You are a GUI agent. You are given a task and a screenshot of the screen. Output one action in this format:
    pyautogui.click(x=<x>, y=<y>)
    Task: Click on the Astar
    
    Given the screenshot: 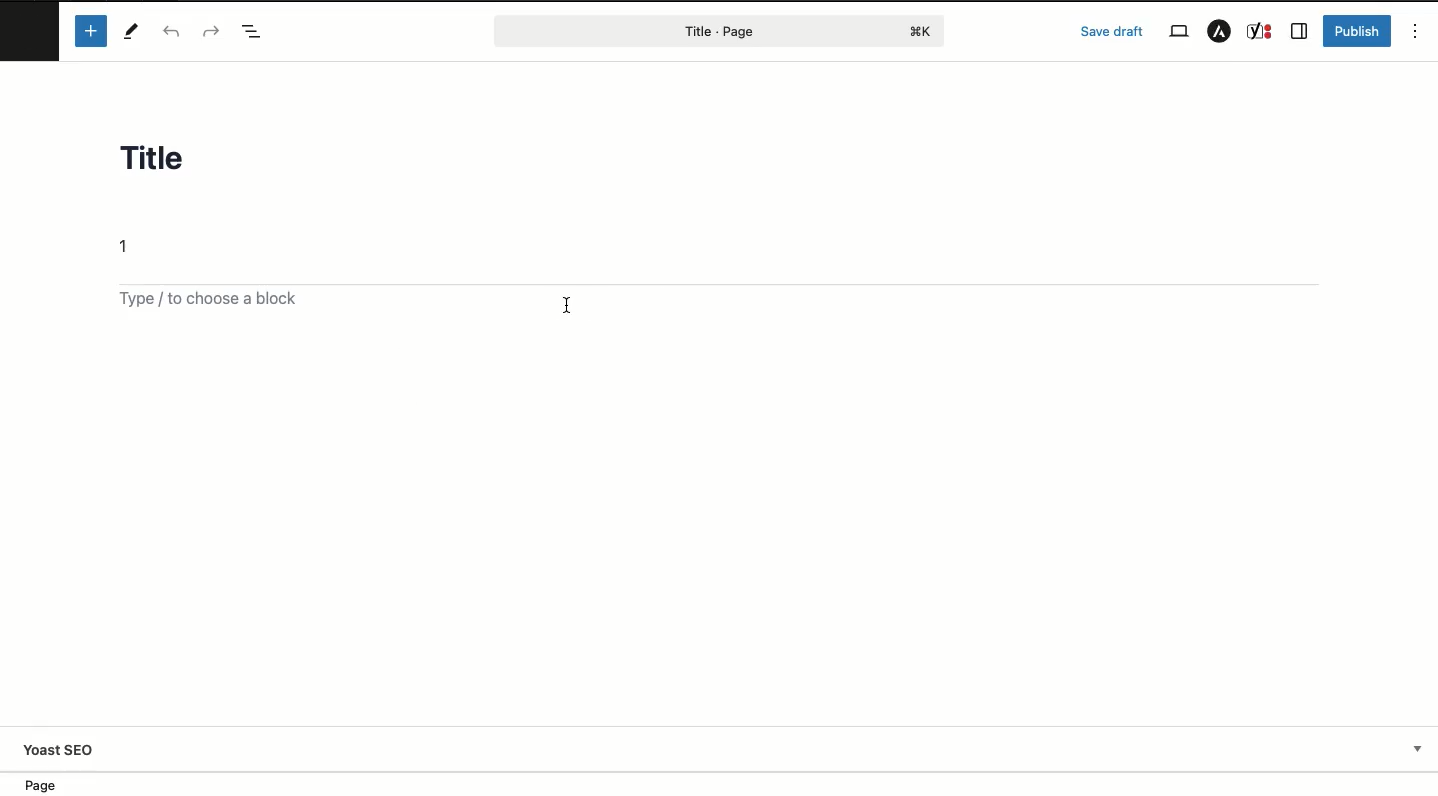 What is the action you would take?
    pyautogui.click(x=1219, y=32)
    